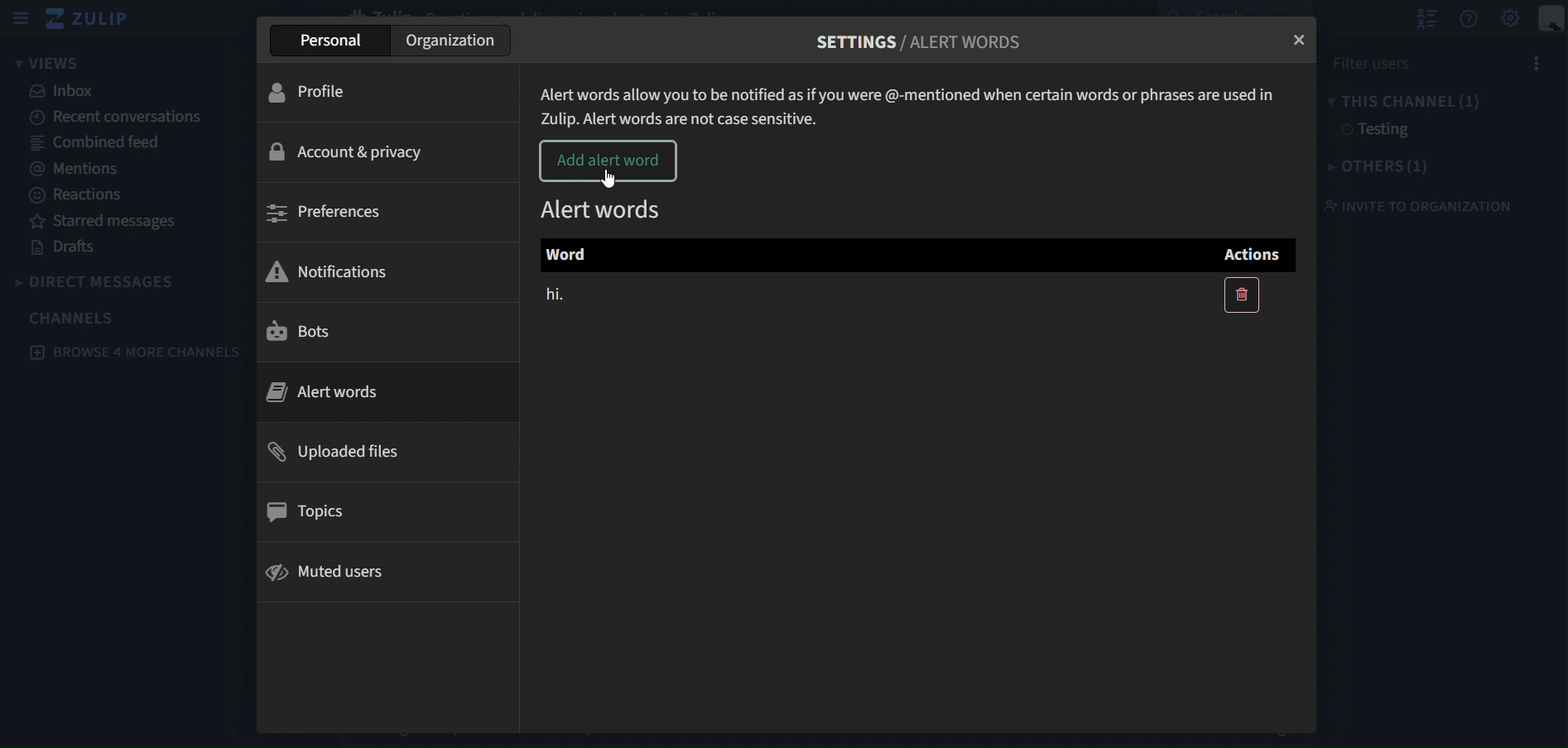 The width and height of the screenshot is (1568, 748). What do you see at coordinates (606, 177) in the screenshot?
I see `Cursor` at bounding box center [606, 177].